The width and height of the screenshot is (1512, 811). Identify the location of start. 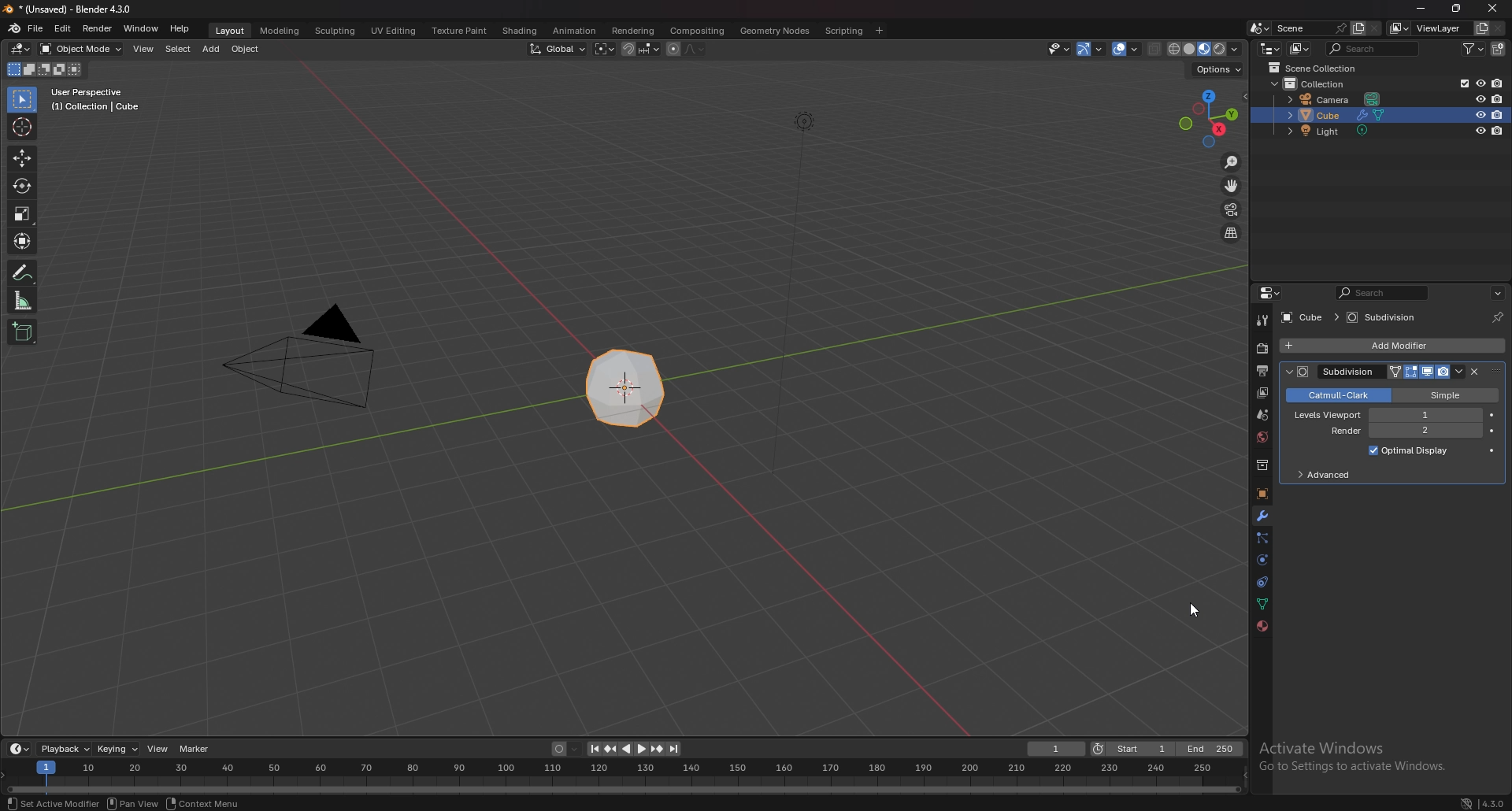
(1132, 749).